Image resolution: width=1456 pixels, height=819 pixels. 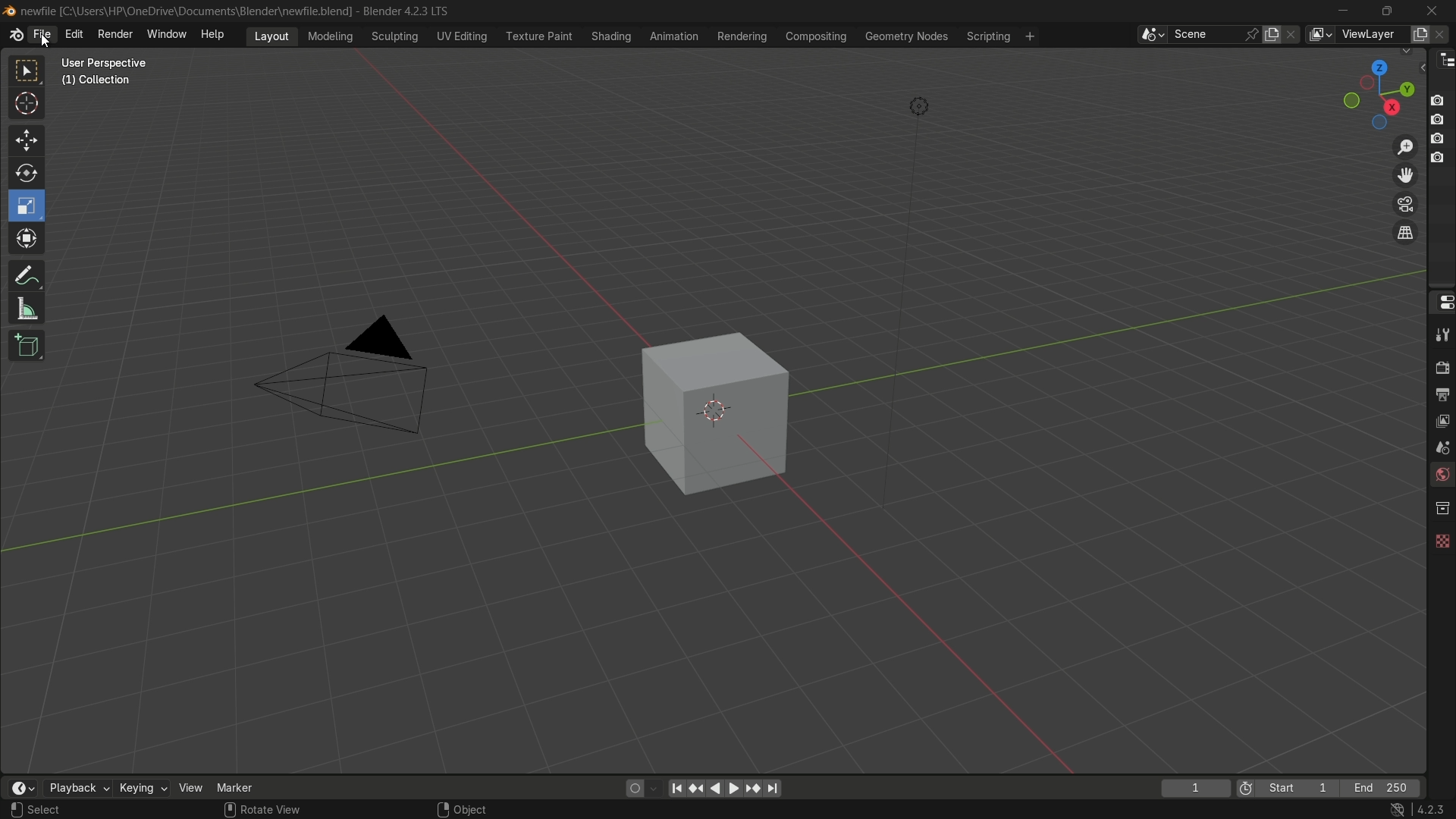 What do you see at coordinates (753, 787) in the screenshot?
I see `jump to keyframe` at bounding box center [753, 787].